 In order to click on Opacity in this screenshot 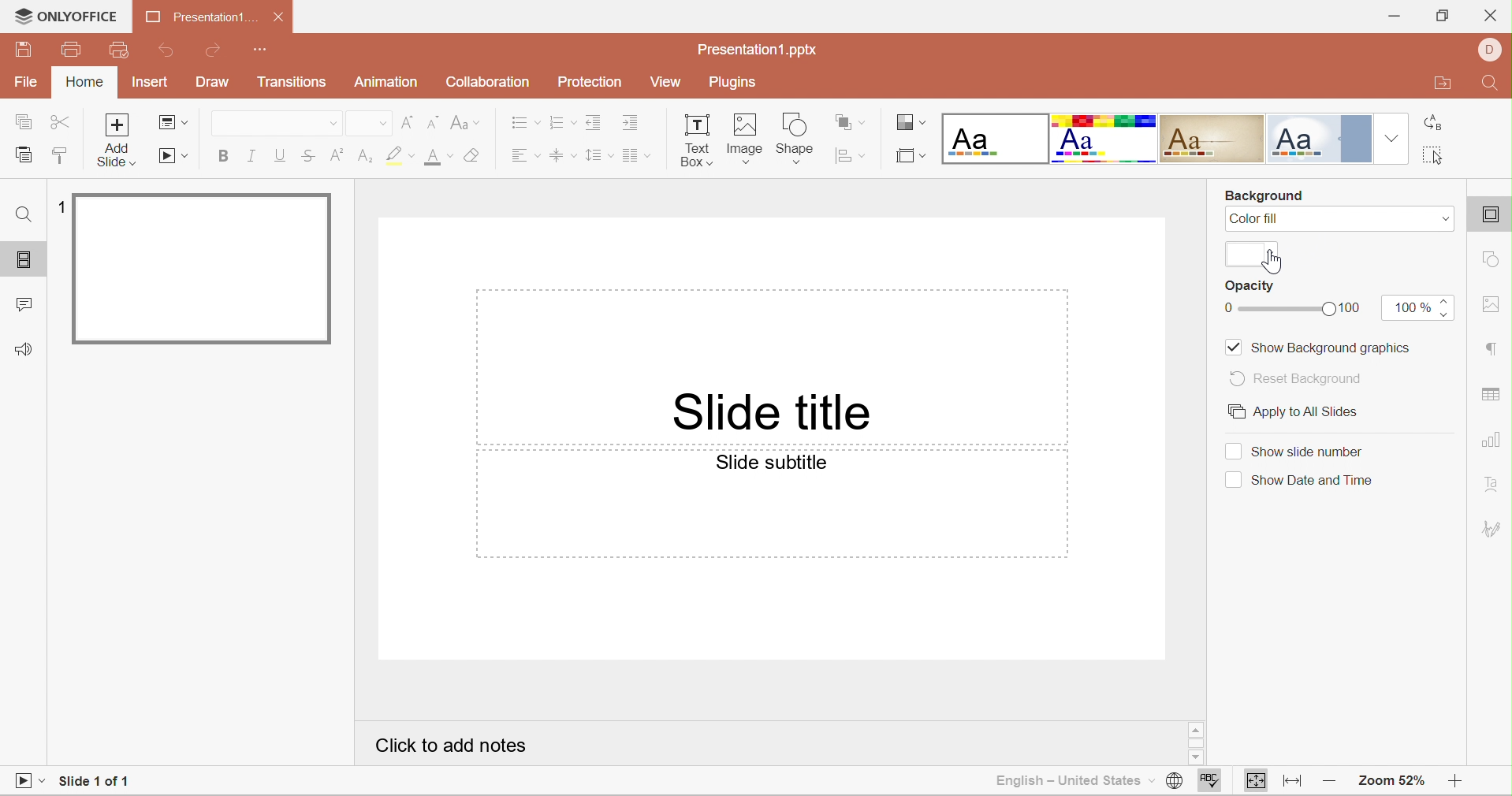, I will do `click(1253, 287)`.